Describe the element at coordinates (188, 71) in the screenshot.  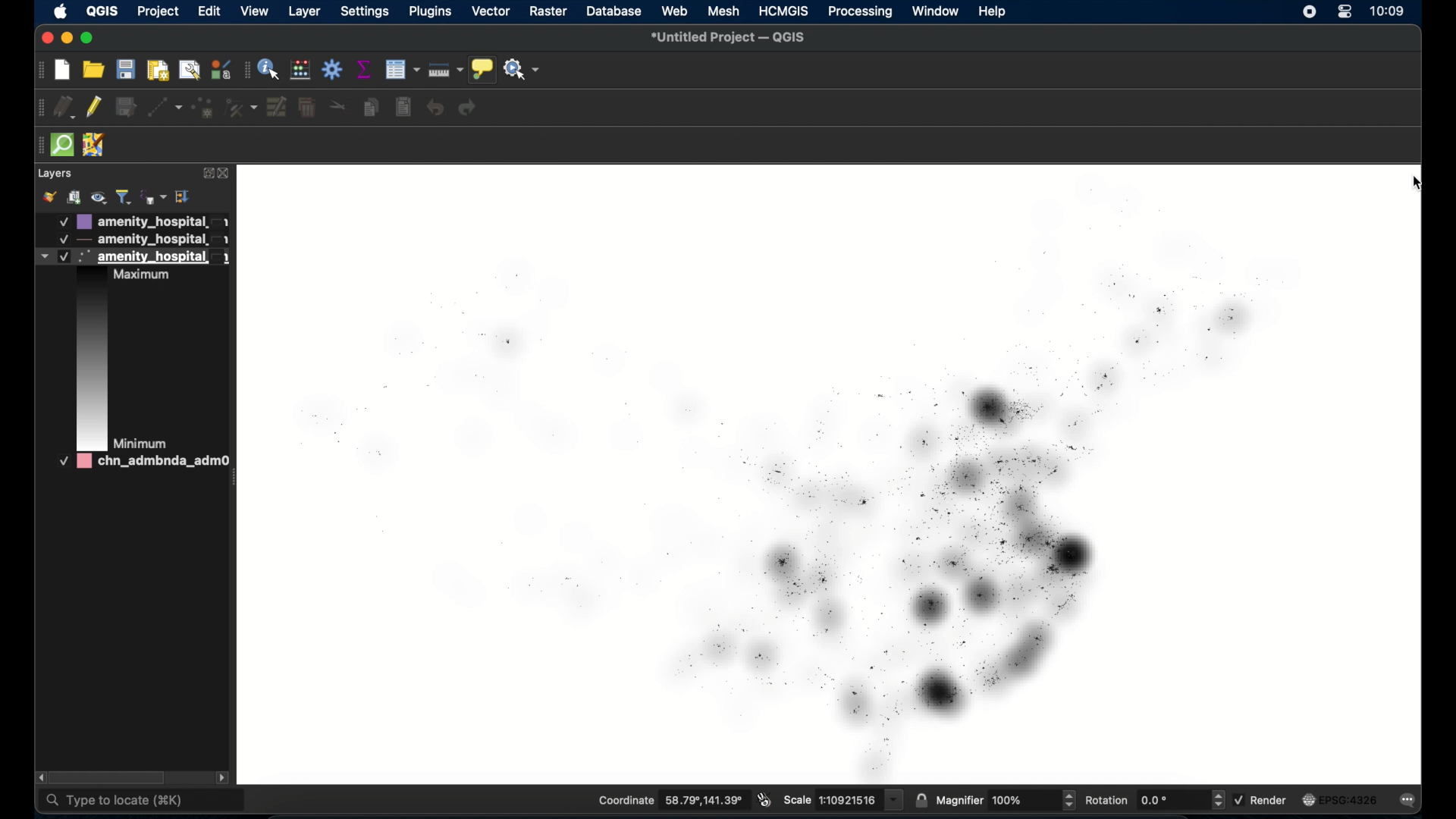
I see `open layout manager` at that location.